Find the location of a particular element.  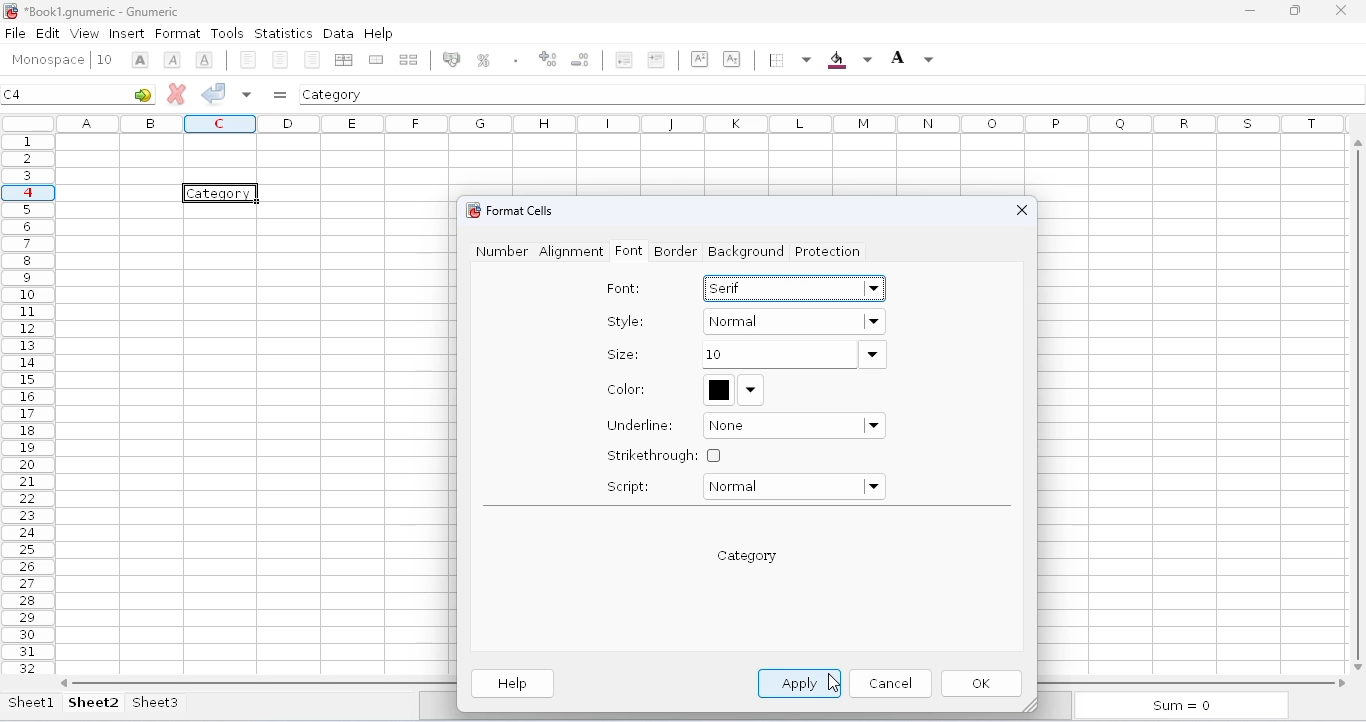

merge a range of cells is located at coordinates (376, 60).